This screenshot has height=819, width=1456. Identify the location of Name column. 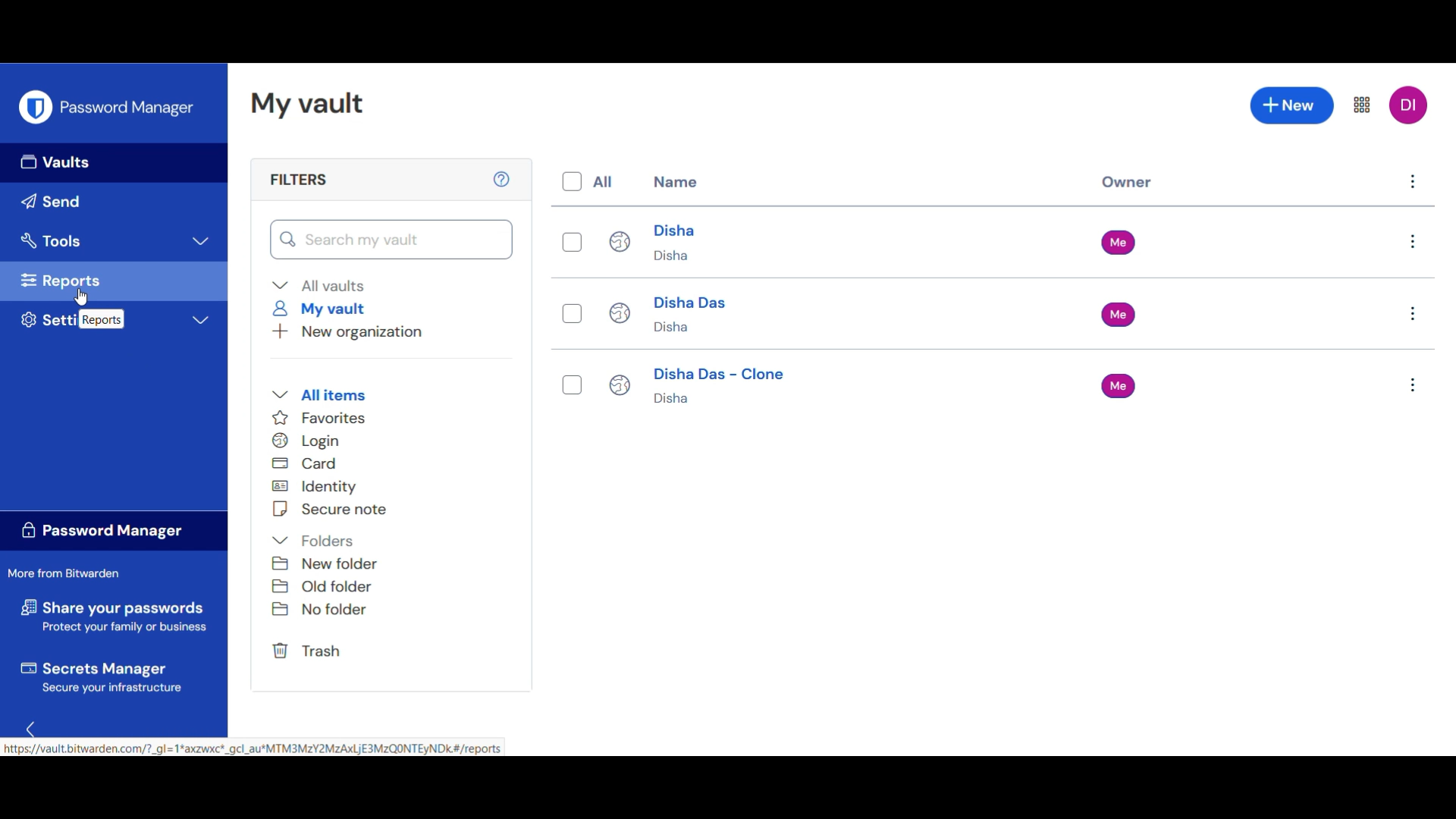
(676, 181).